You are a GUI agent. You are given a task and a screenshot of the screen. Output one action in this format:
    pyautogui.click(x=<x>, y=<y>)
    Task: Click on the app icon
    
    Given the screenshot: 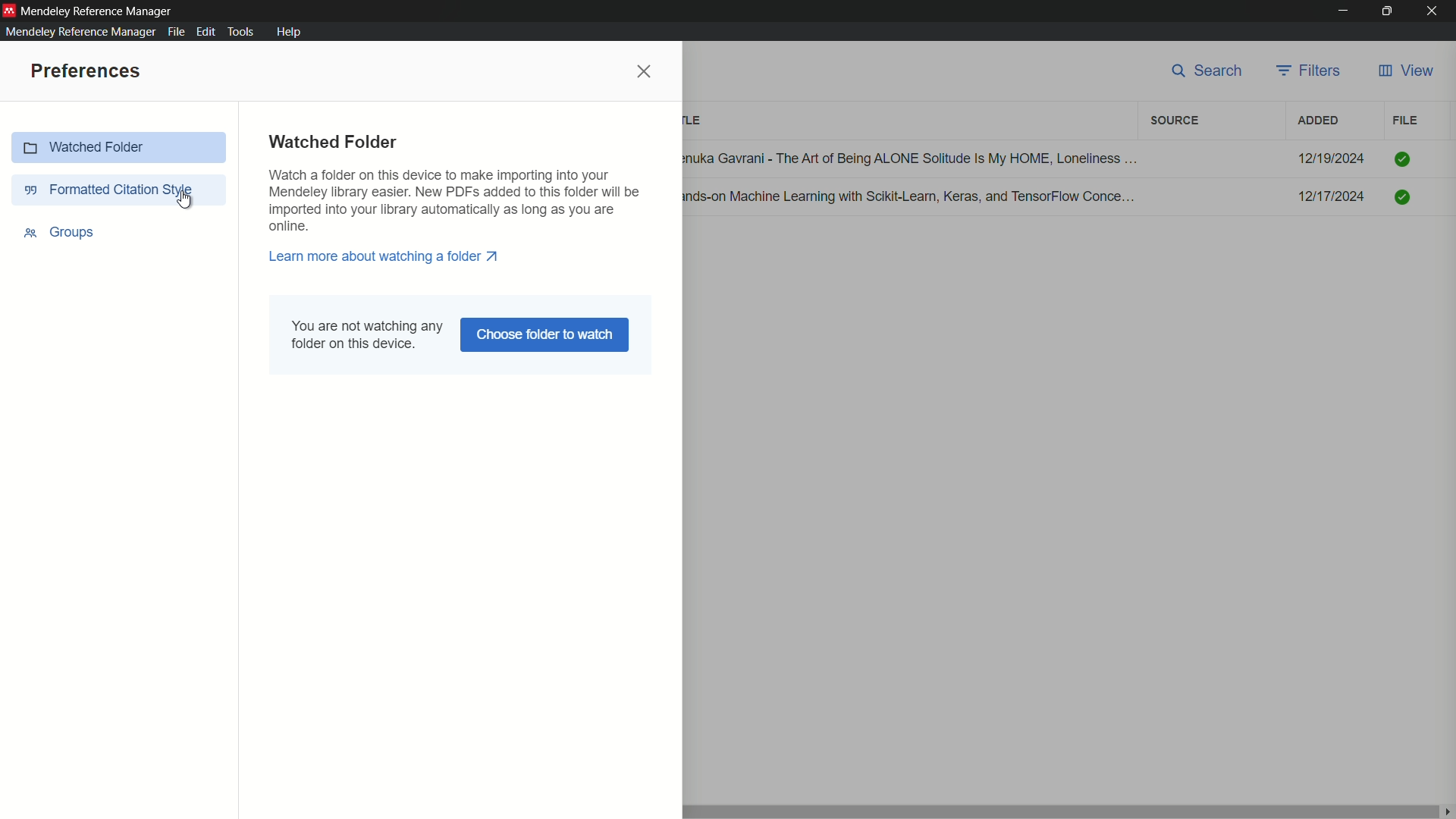 What is the action you would take?
    pyautogui.click(x=9, y=11)
    